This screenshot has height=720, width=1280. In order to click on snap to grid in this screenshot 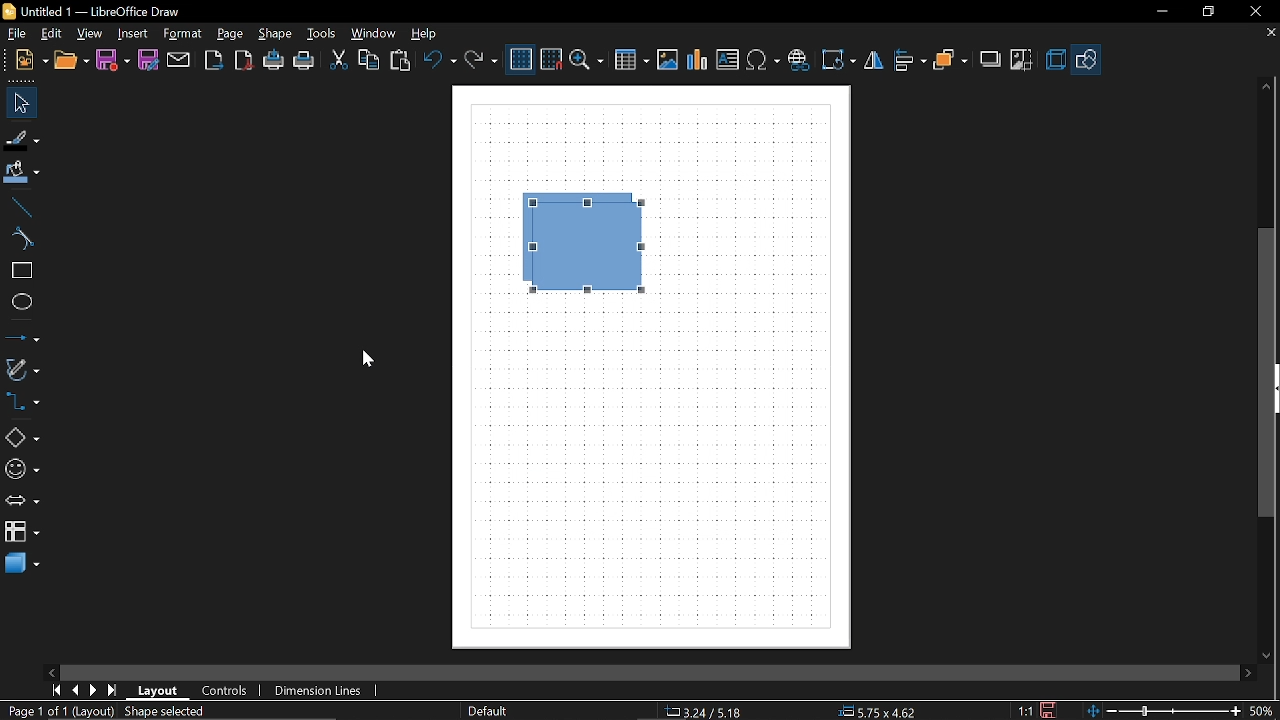, I will do `click(552, 59)`.